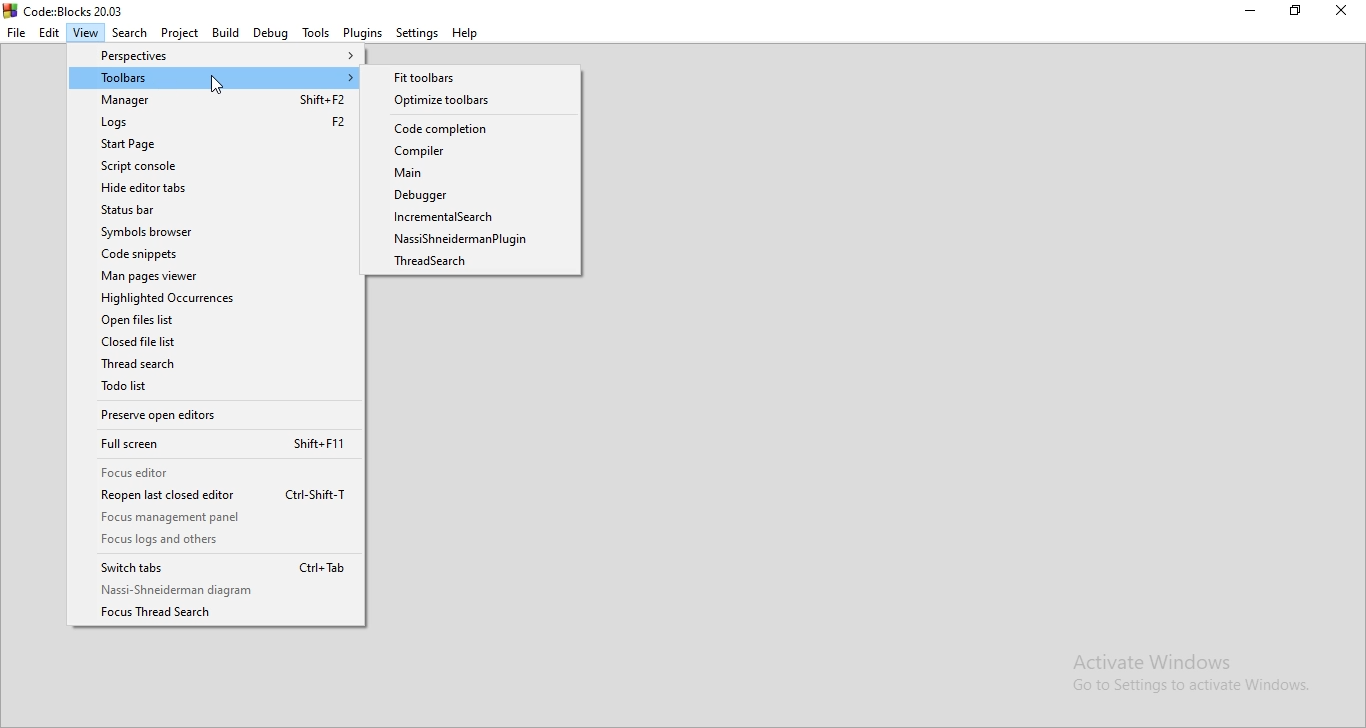  What do you see at coordinates (416, 32) in the screenshot?
I see `Settings ` at bounding box center [416, 32].